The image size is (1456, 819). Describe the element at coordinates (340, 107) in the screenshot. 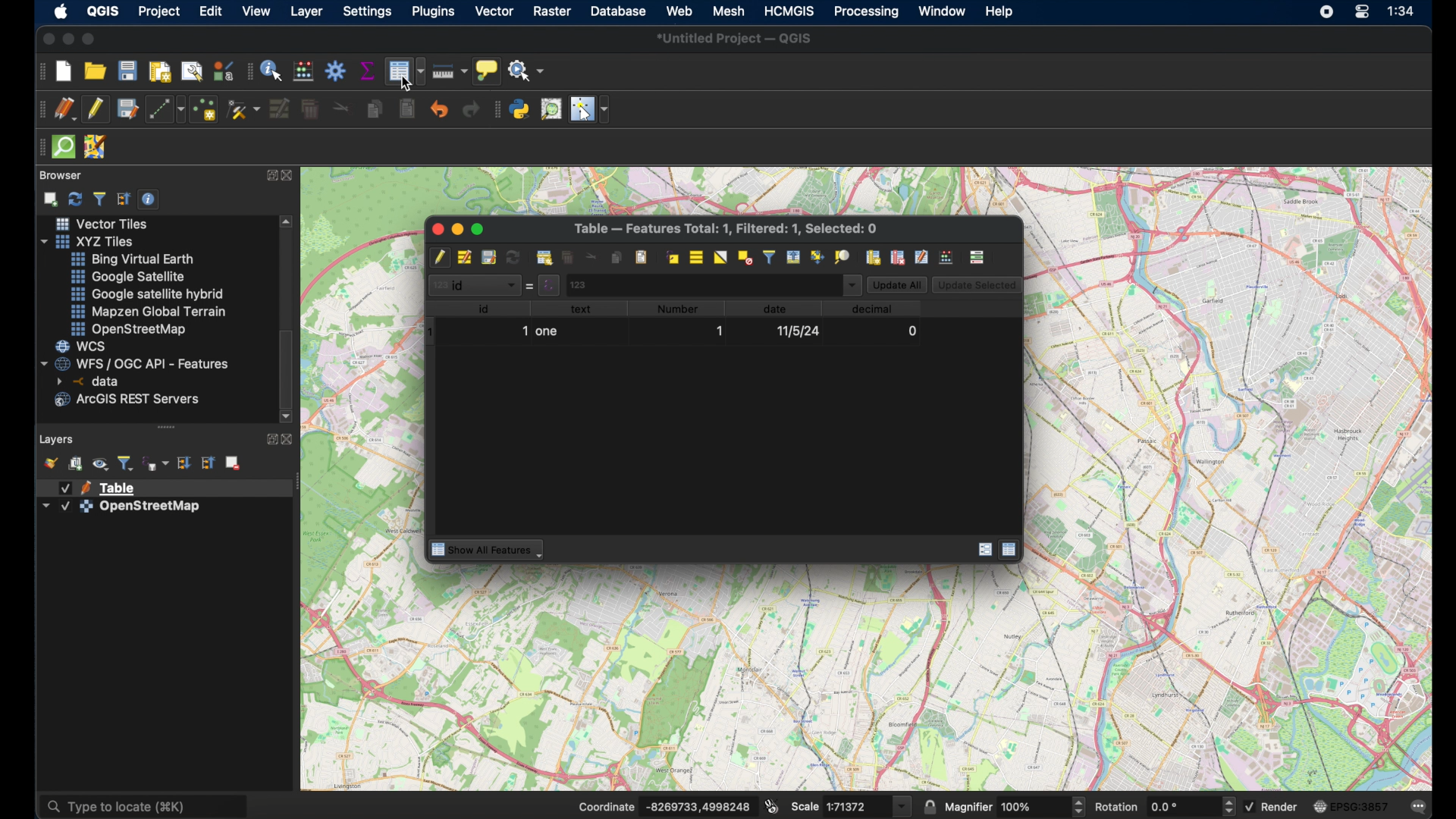

I see `cut features` at that location.